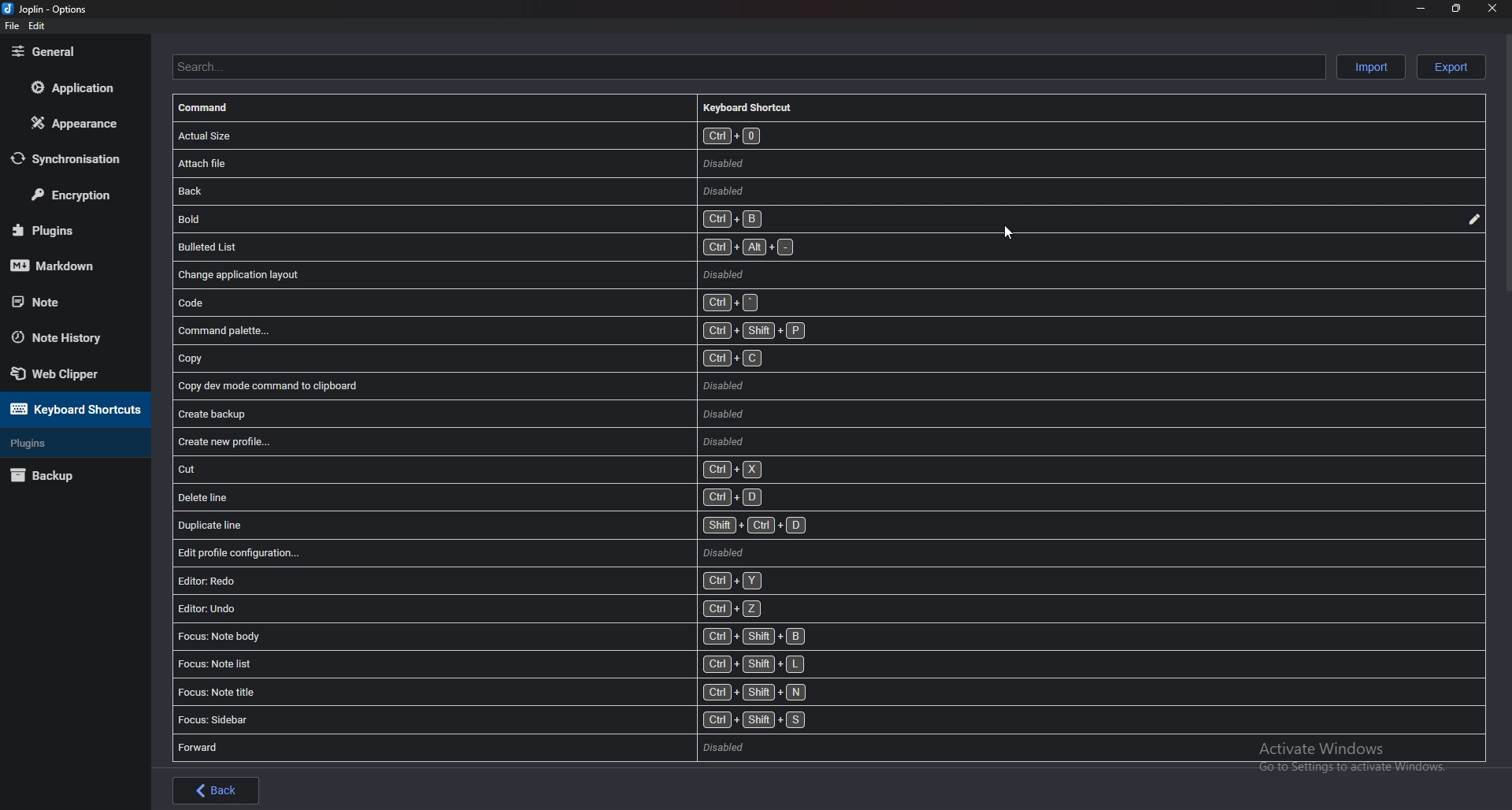 The image size is (1512, 810). Describe the element at coordinates (1452, 67) in the screenshot. I see `Export` at that location.